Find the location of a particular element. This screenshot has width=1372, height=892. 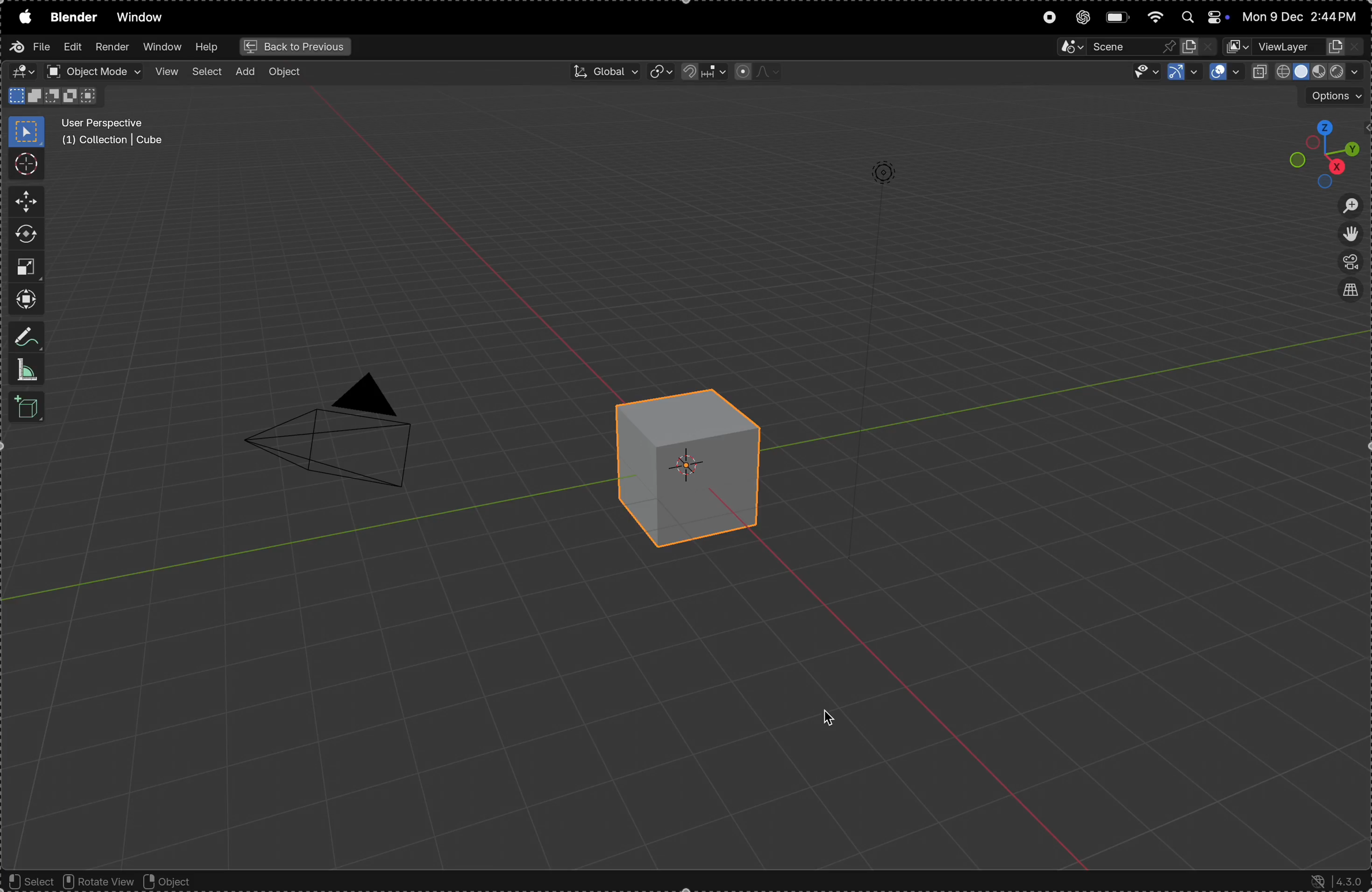

annotate  is located at coordinates (25, 336).